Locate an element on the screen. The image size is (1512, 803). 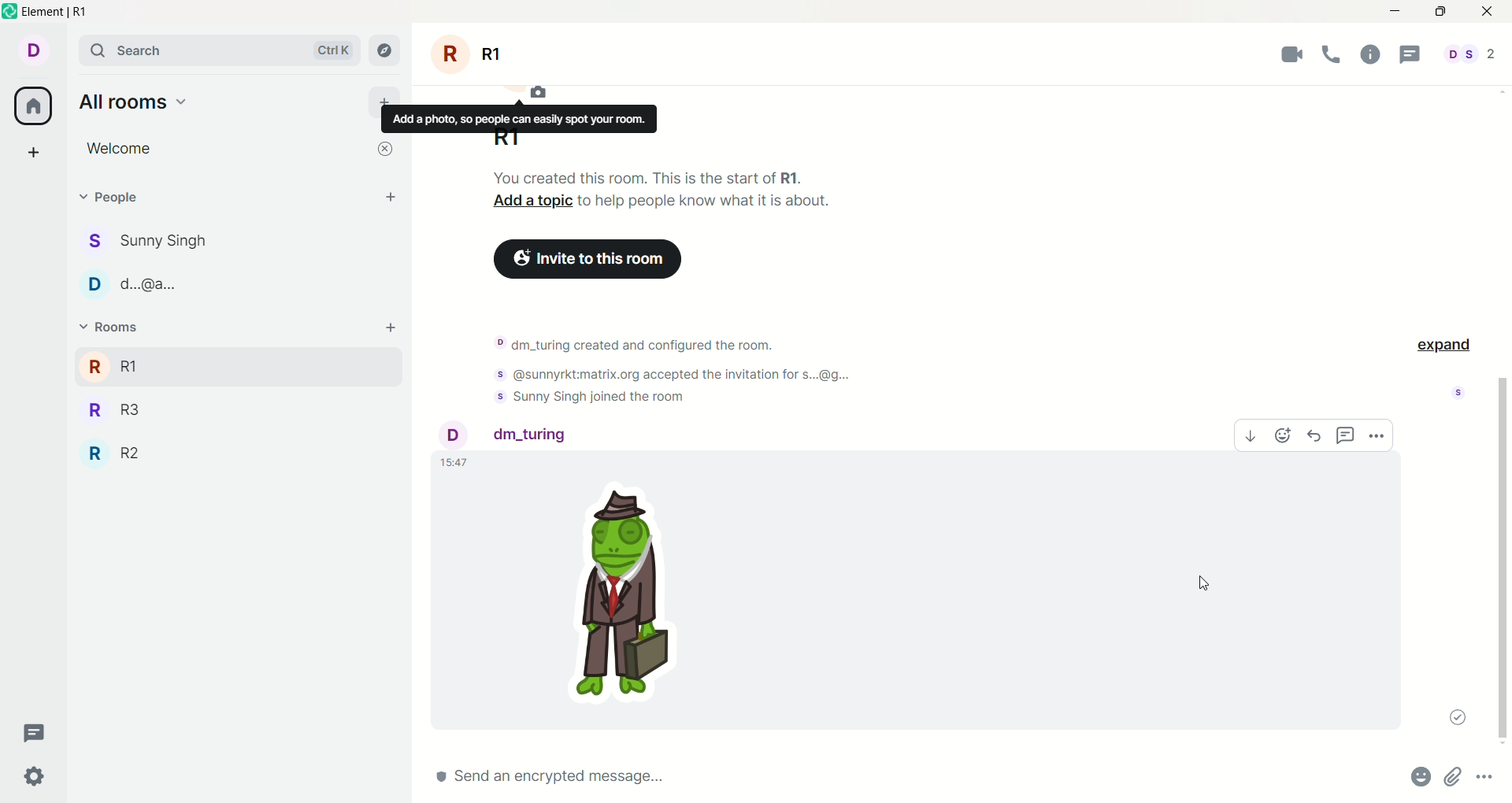
text is located at coordinates (519, 119).